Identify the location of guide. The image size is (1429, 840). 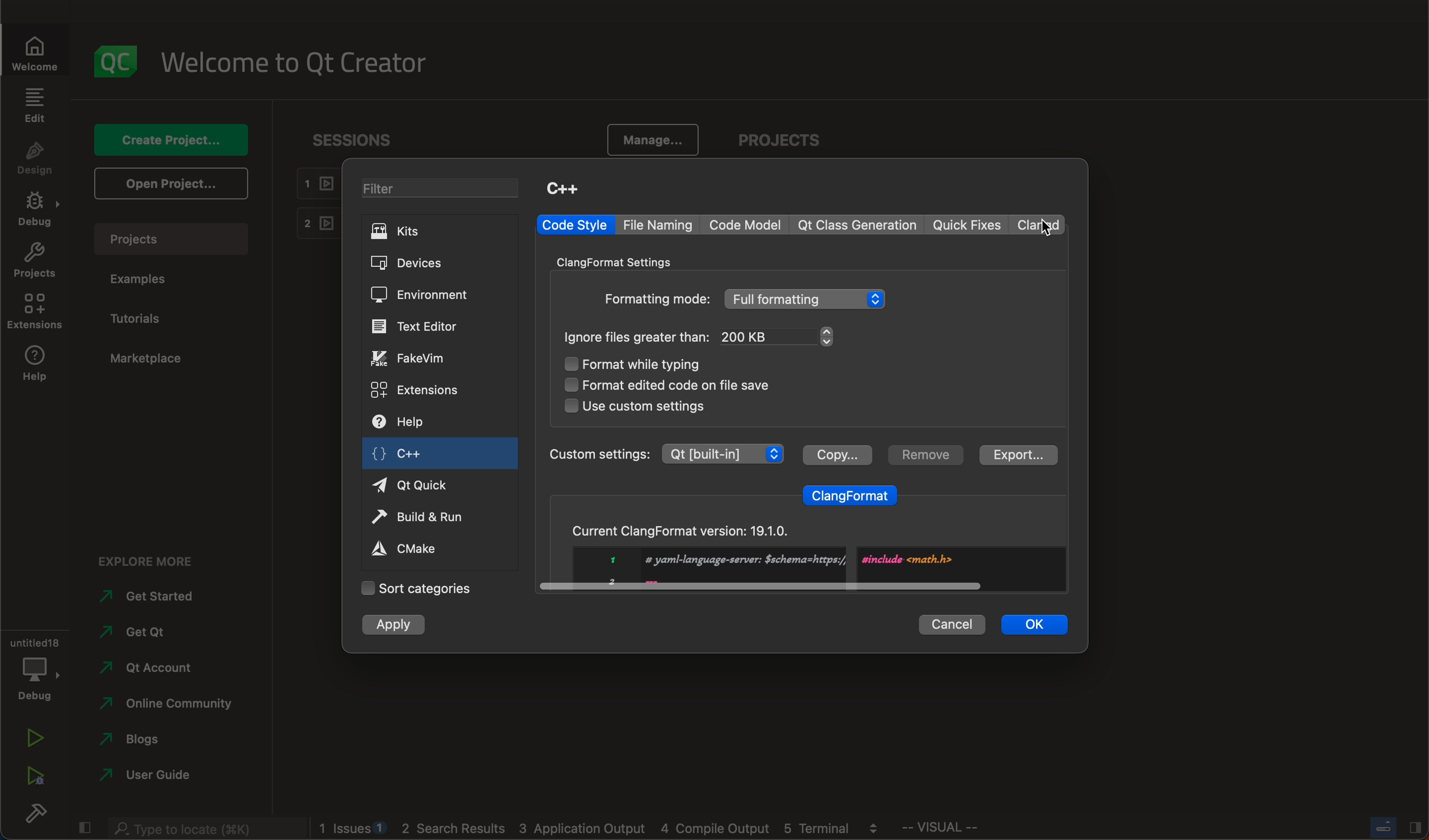
(150, 773).